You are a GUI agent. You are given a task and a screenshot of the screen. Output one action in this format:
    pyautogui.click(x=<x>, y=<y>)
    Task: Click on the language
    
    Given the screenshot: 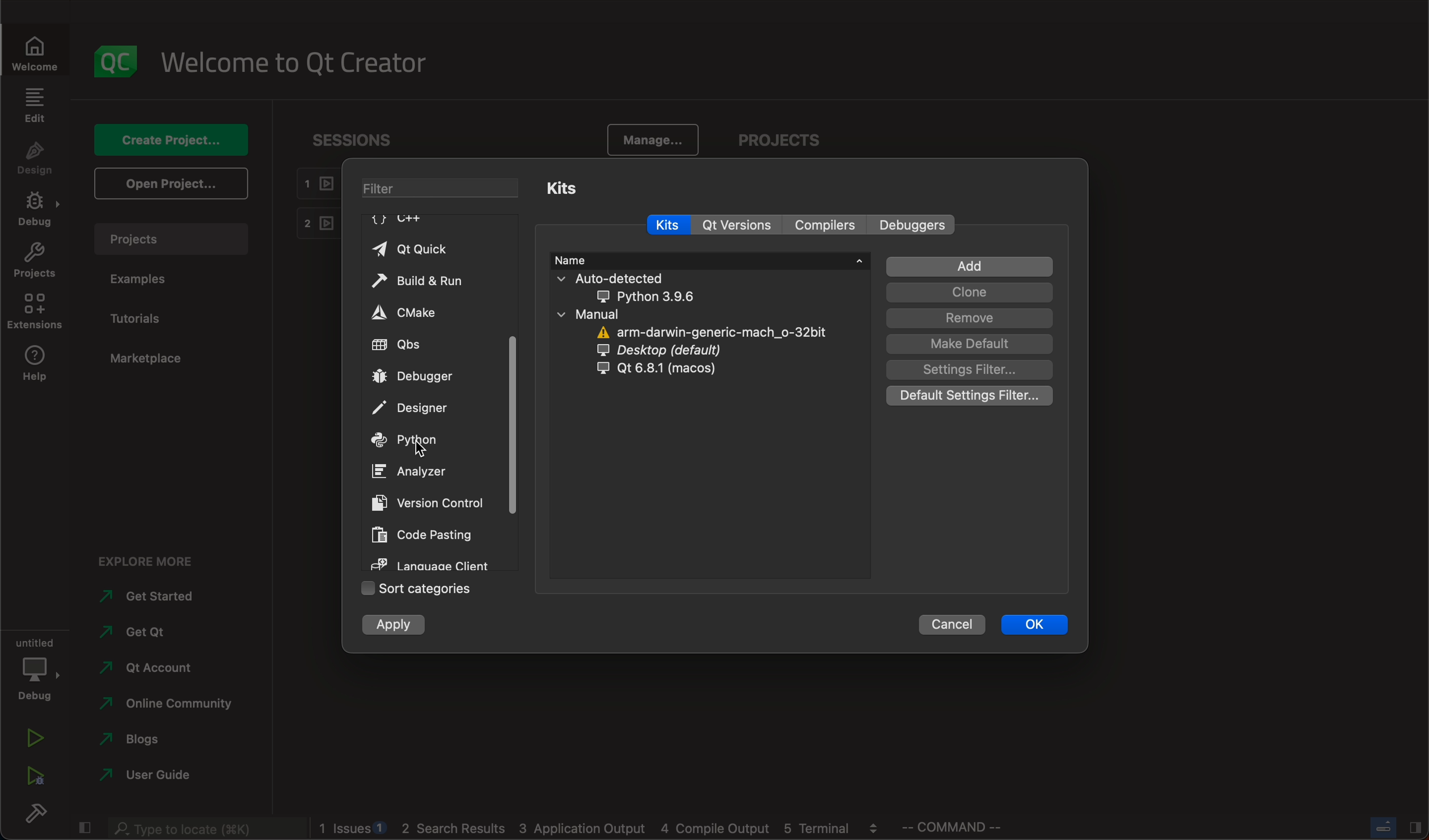 What is the action you would take?
    pyautogui.click(x=429, y=562)
    